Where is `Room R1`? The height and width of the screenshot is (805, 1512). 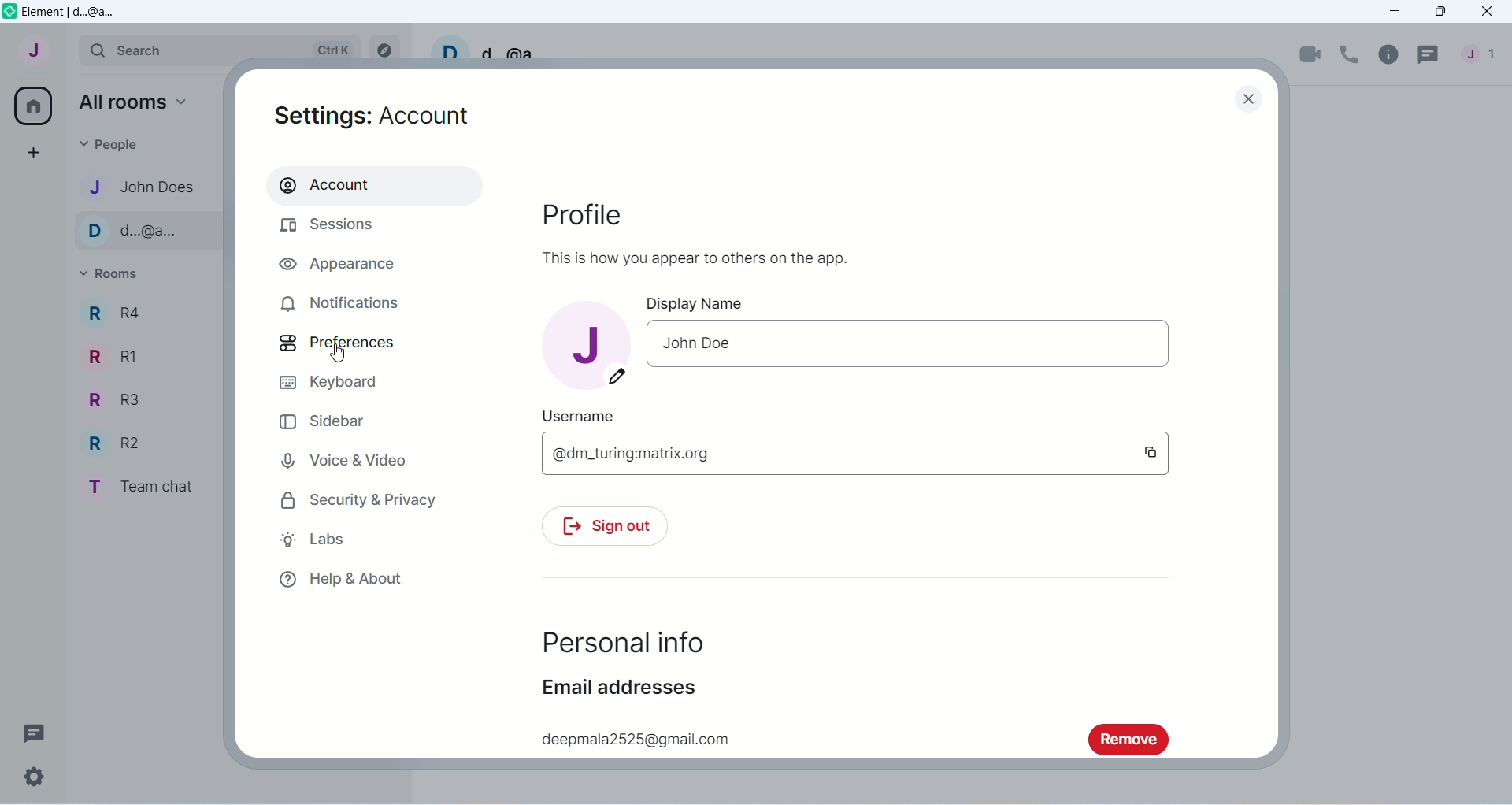 Room R1 is located at coordinates (112, 359).